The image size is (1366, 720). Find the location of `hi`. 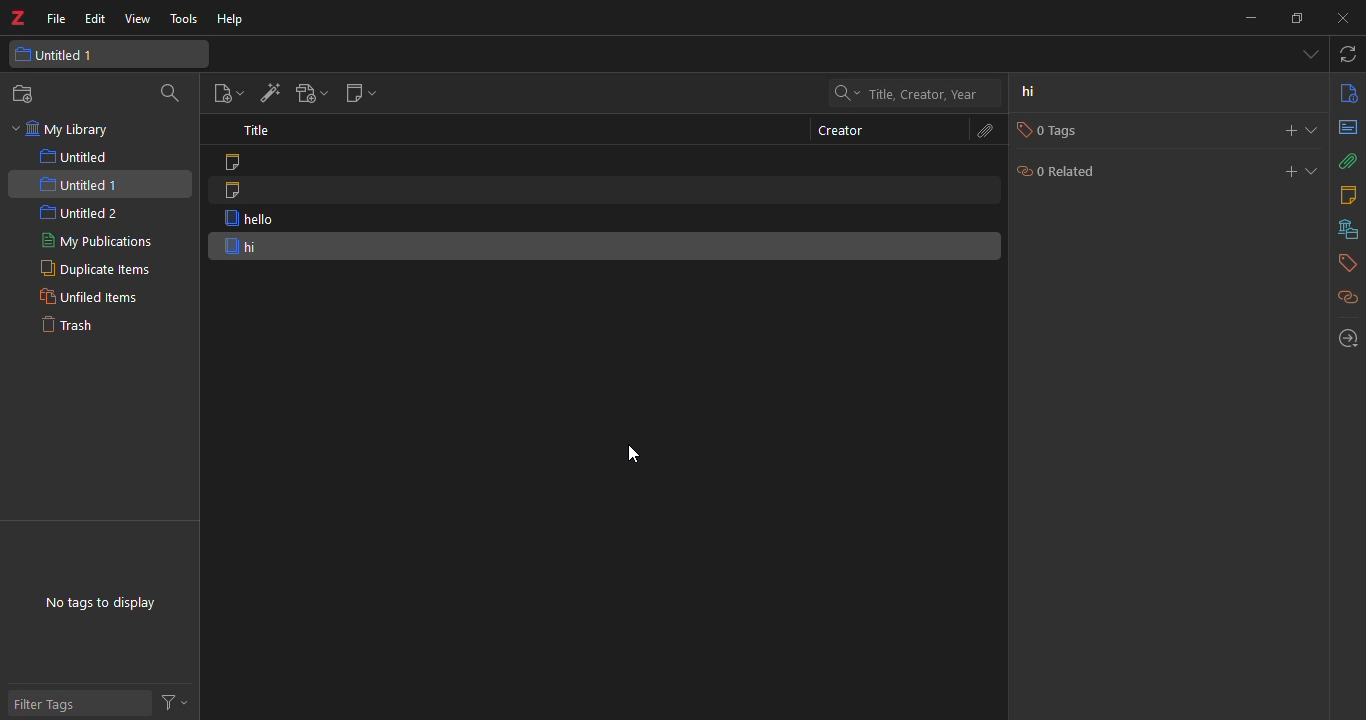

hi is located at coordinates (1030, 92).